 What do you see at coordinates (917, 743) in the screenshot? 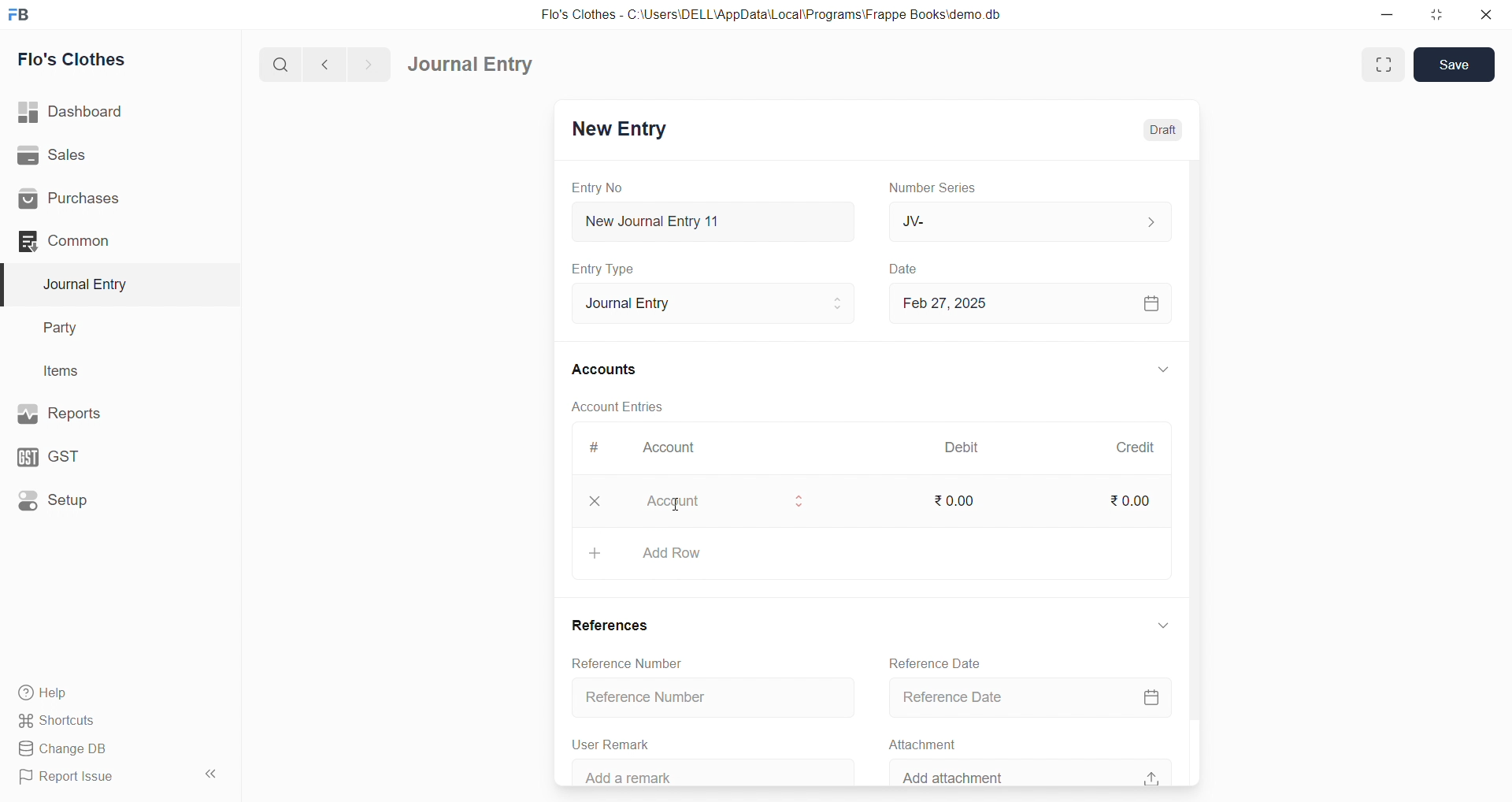
I see `Attachment` at bounding box center [917, 743].